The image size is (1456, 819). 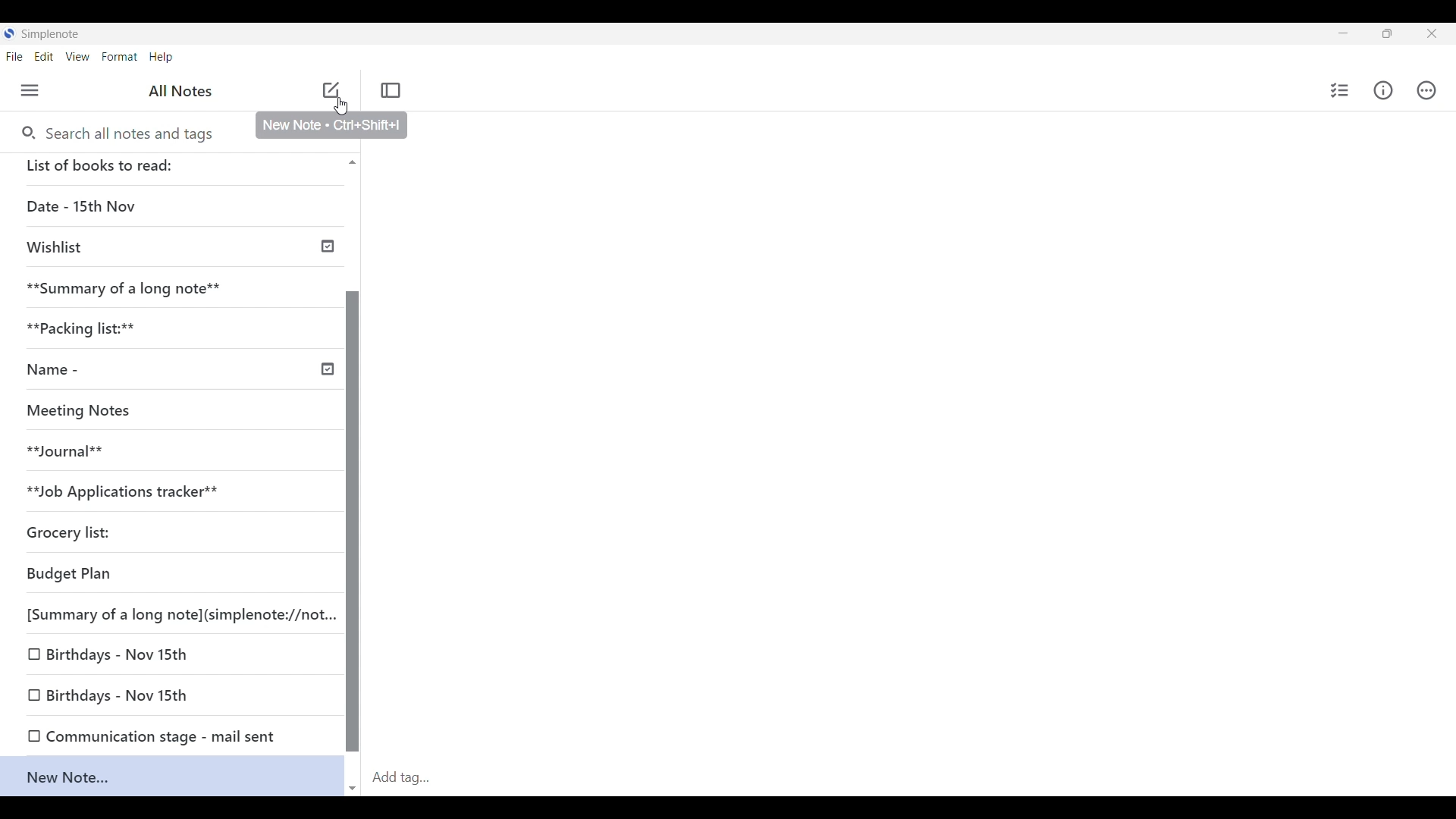 What do you see at coordinates (36, 90) in the screenshot?
I see `Menu • ctrl + shift + u` at bounding box center [36, 90].